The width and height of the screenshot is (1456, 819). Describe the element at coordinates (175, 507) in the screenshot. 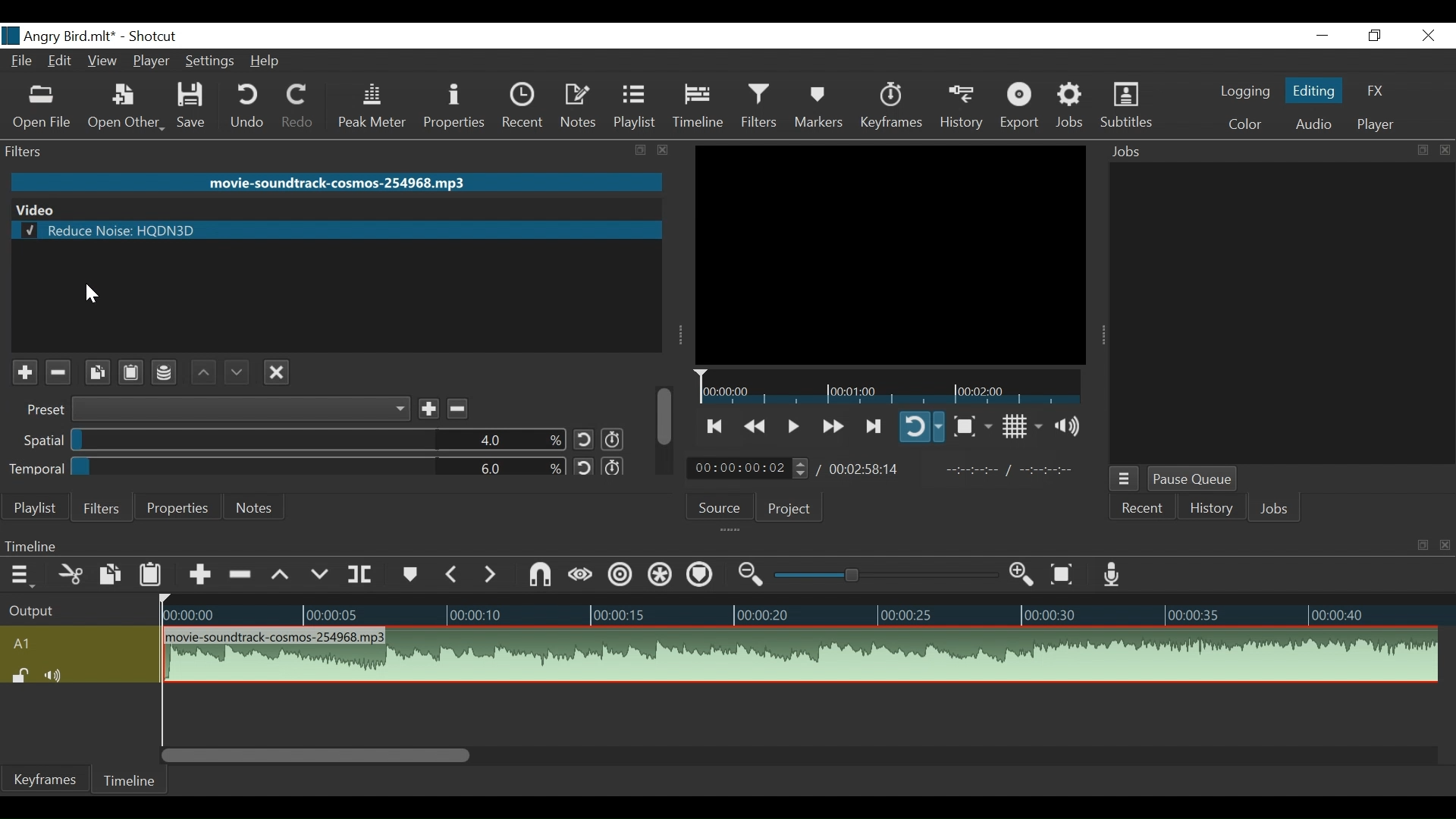

I see `Properties` at that location.